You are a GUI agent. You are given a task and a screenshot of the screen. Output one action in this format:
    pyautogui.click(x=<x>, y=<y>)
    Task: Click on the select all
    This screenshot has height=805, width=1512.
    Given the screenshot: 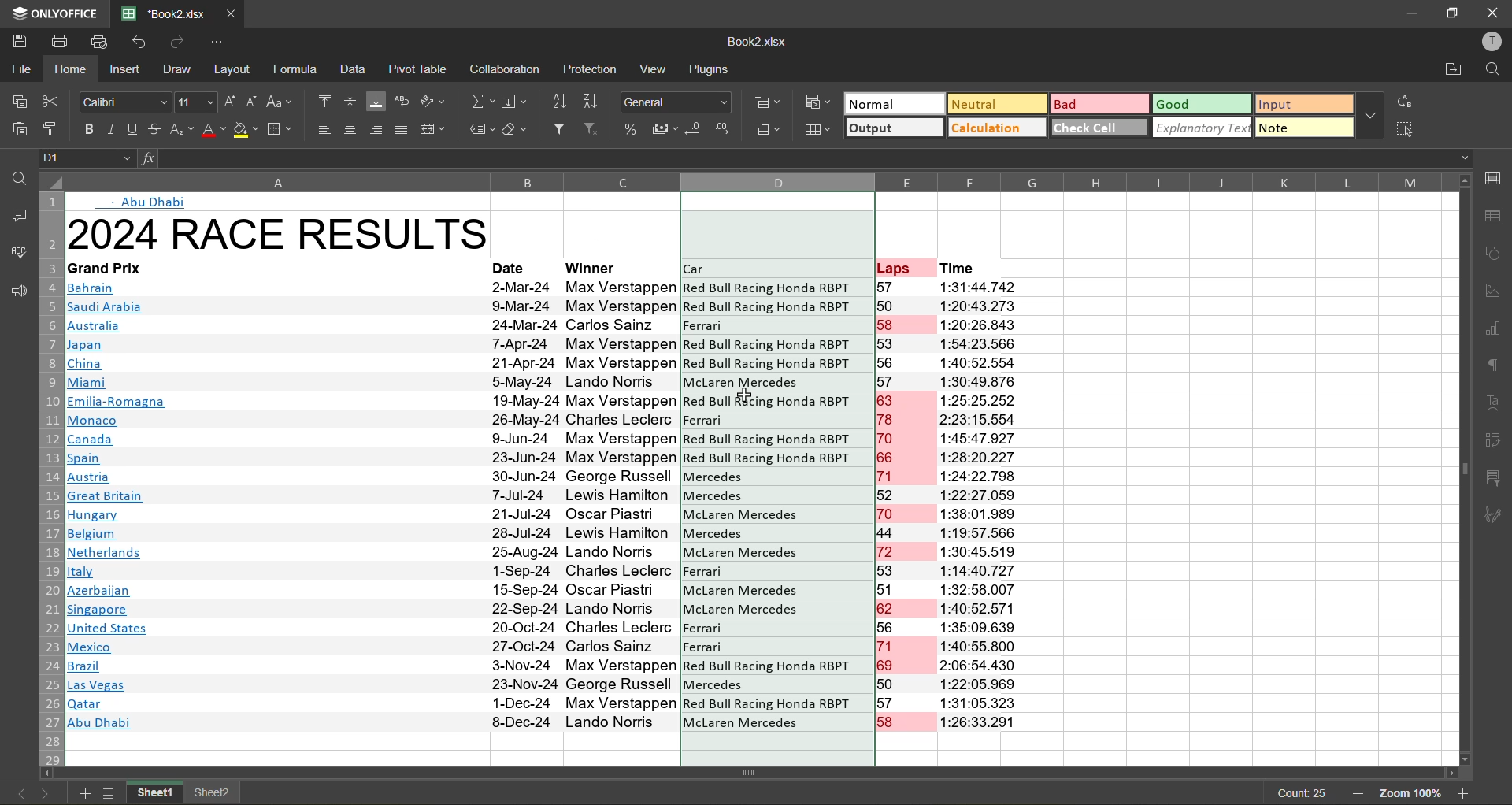 What is the action you would take?
    pyautogui.click(x=1404, y=128)
    